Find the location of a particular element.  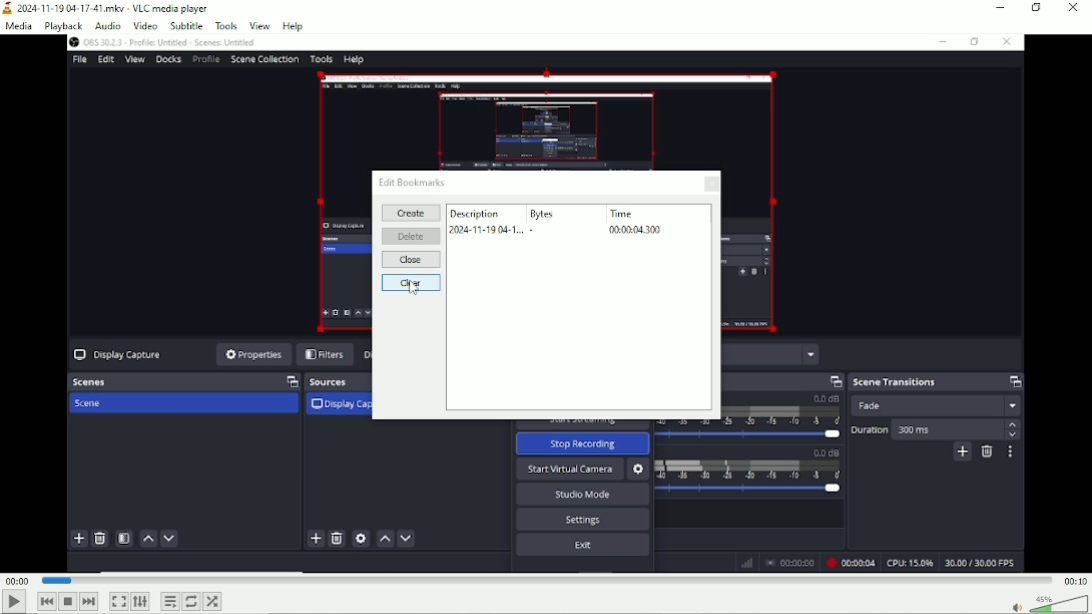

Random is located at coordinates (212, 602).